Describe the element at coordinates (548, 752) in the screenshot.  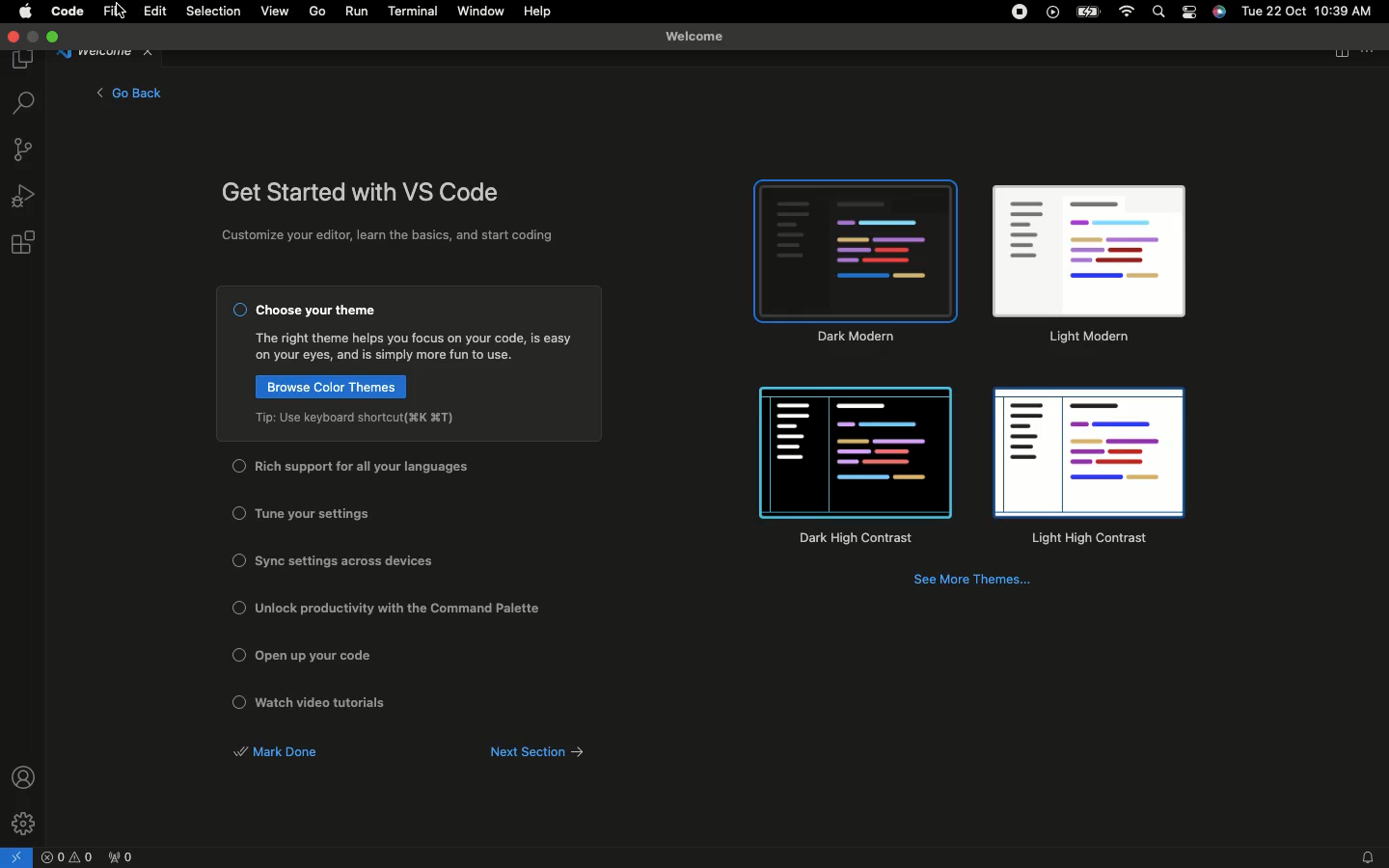
I see `Next section` at that location.